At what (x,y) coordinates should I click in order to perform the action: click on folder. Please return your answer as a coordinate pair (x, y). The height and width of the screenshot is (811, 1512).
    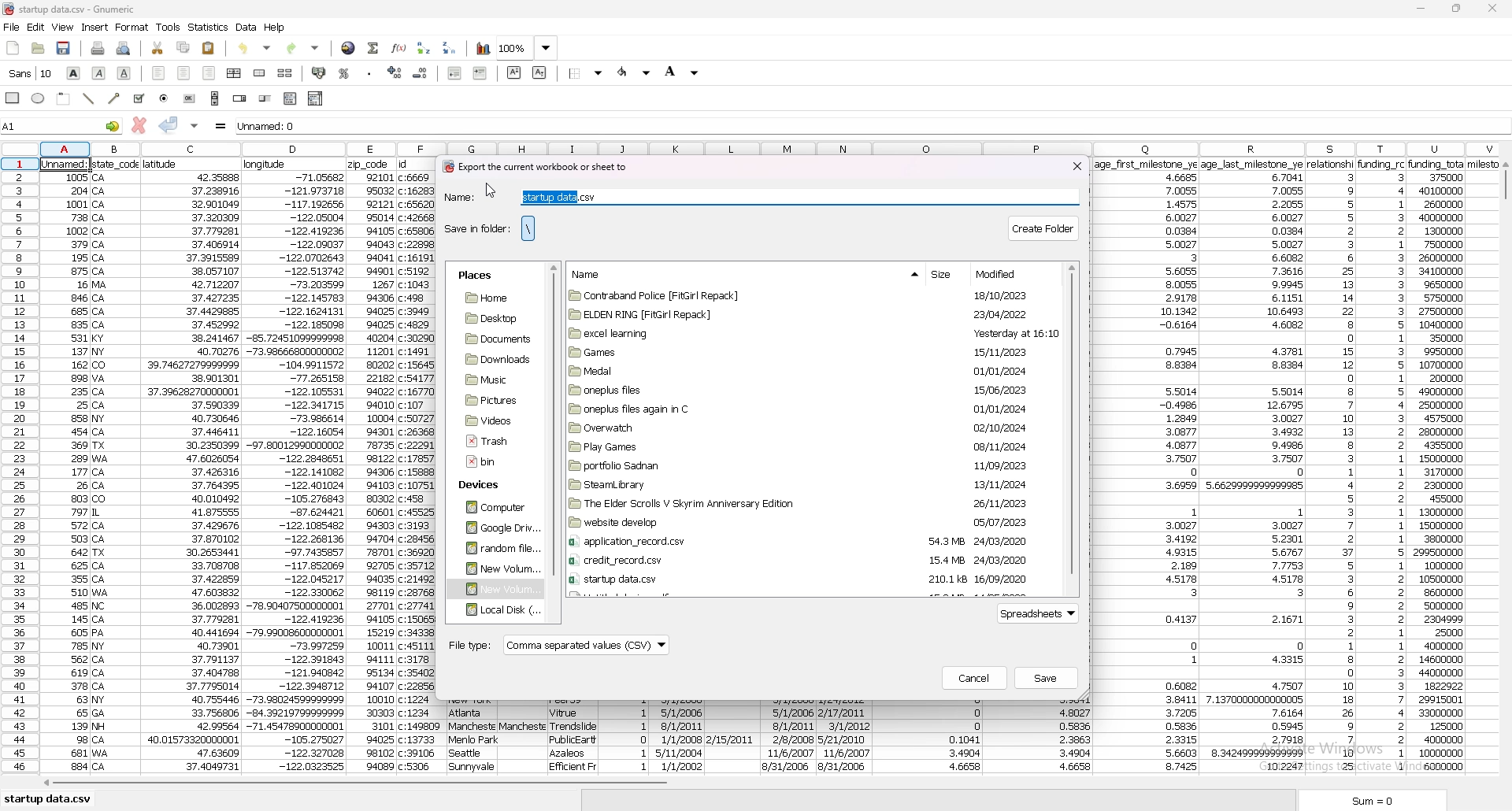
    Looking at the image, I should click on (495, 359).